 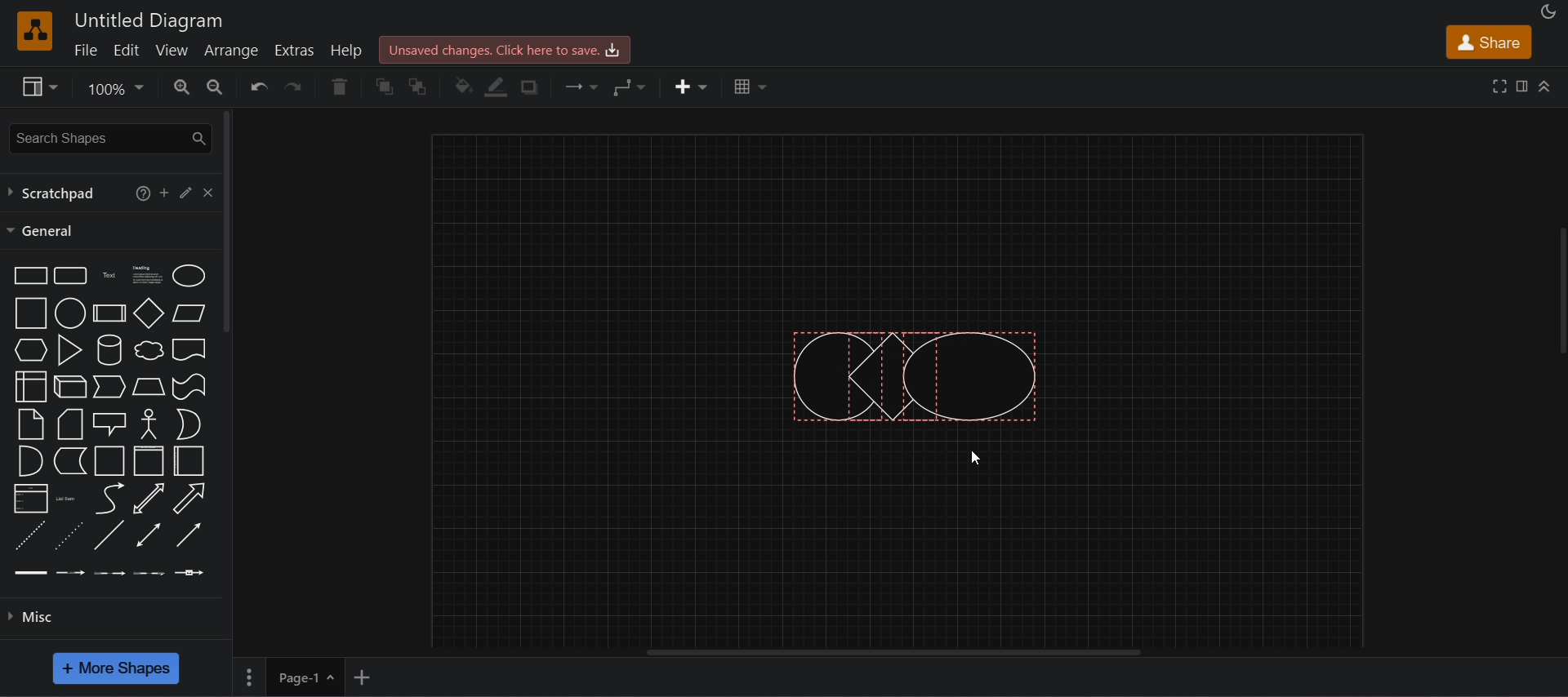 What do you see at coordinates (630, 87) in the screenshot?
I see `waypoints` at bounding box center [630, 87].